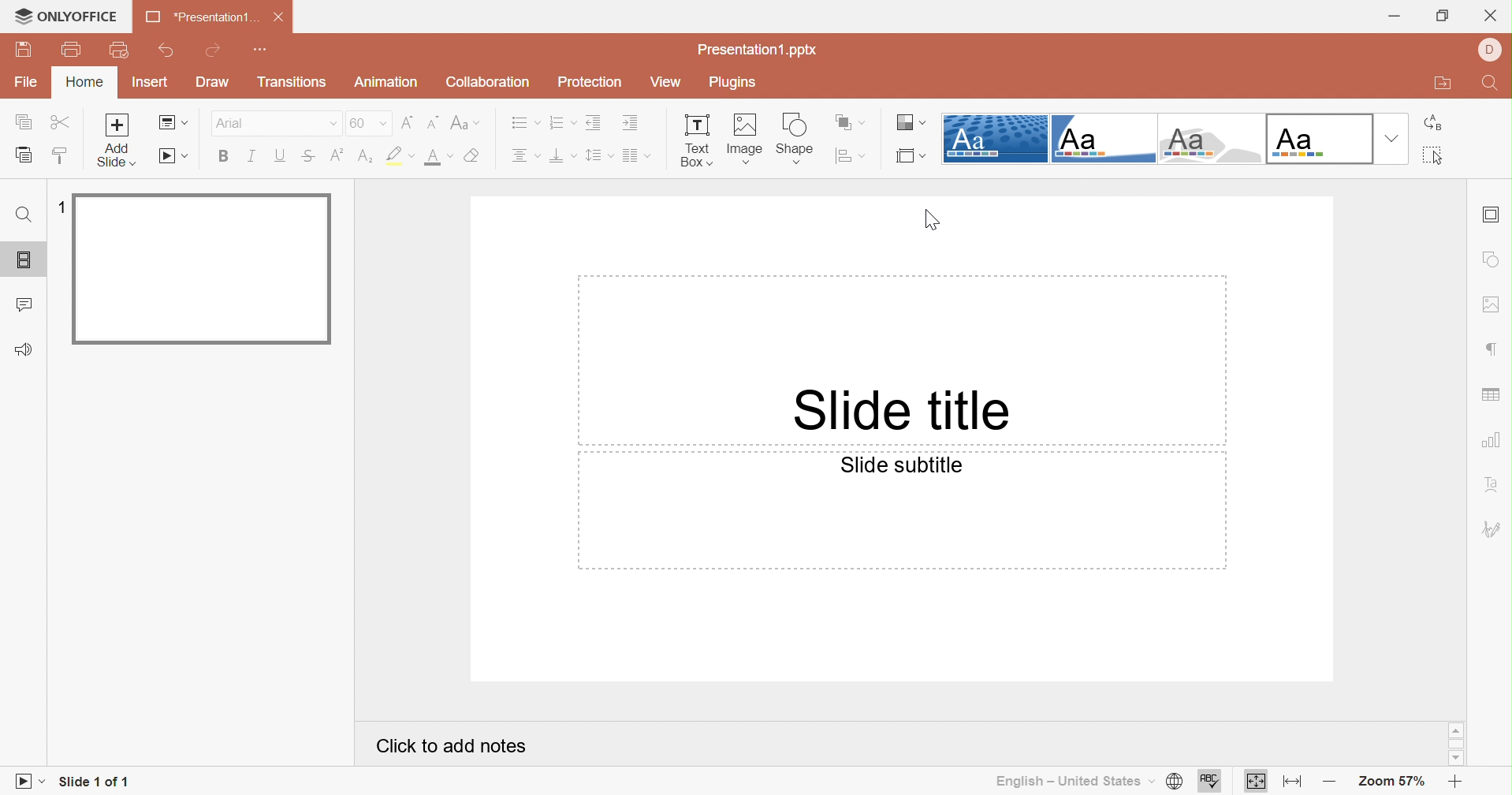  I want to click on Corner, so click(1101, 138).